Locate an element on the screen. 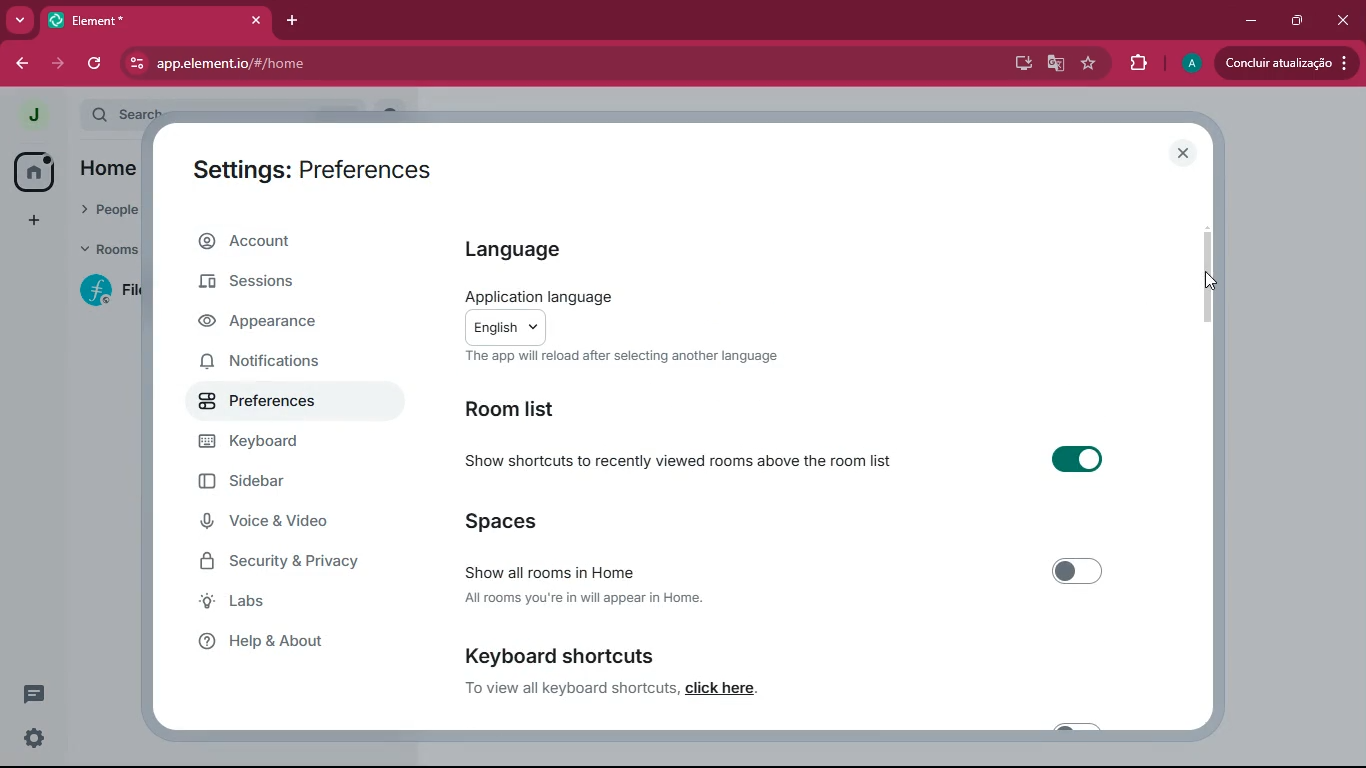 This screenshot has width=1366, height=768. notifications is located at coordinates (277, 364).